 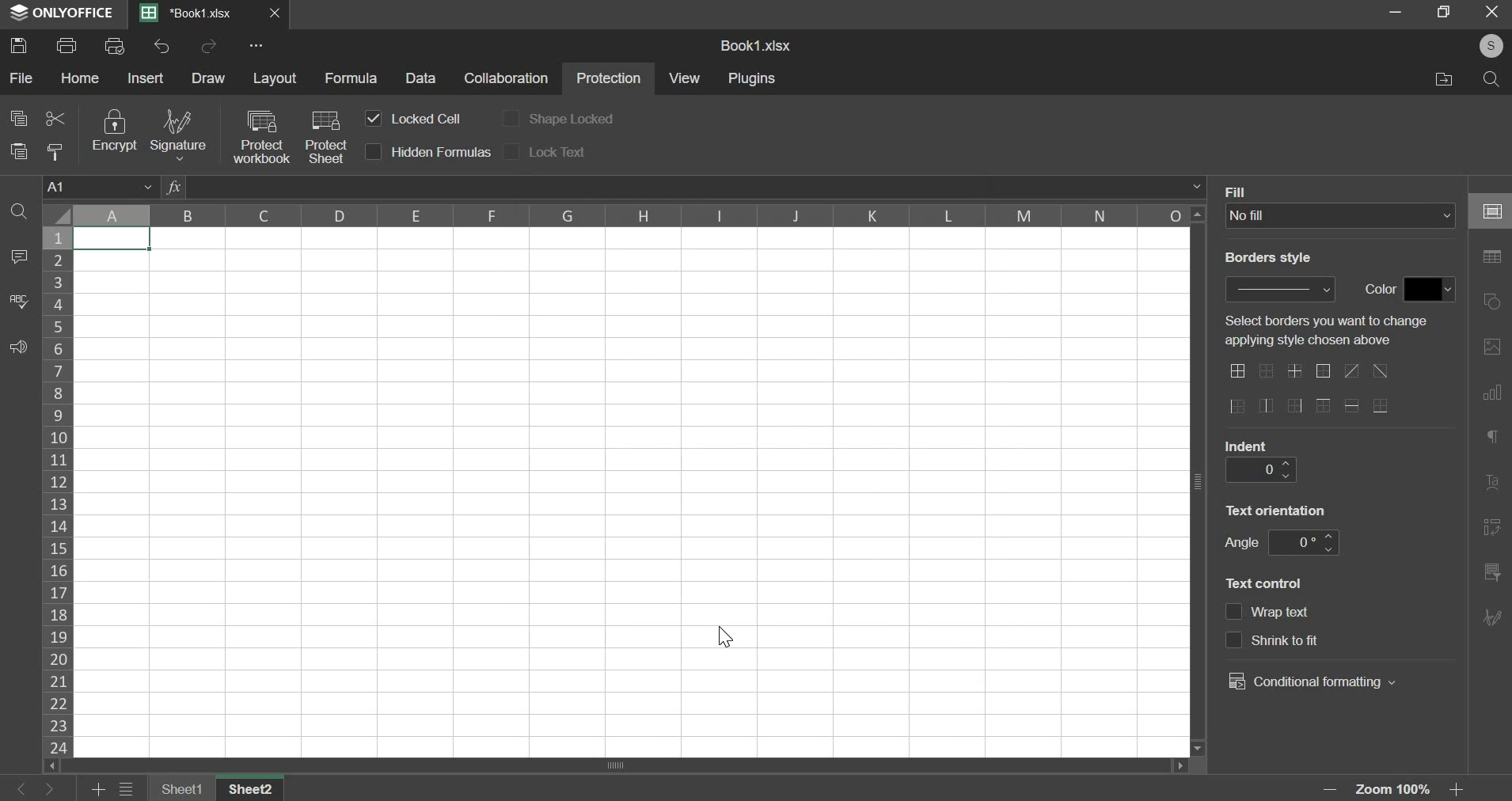 What do you see at coordinates (55, 116) in the screenshot?
I see `cut` at bounding box center [55, 116].